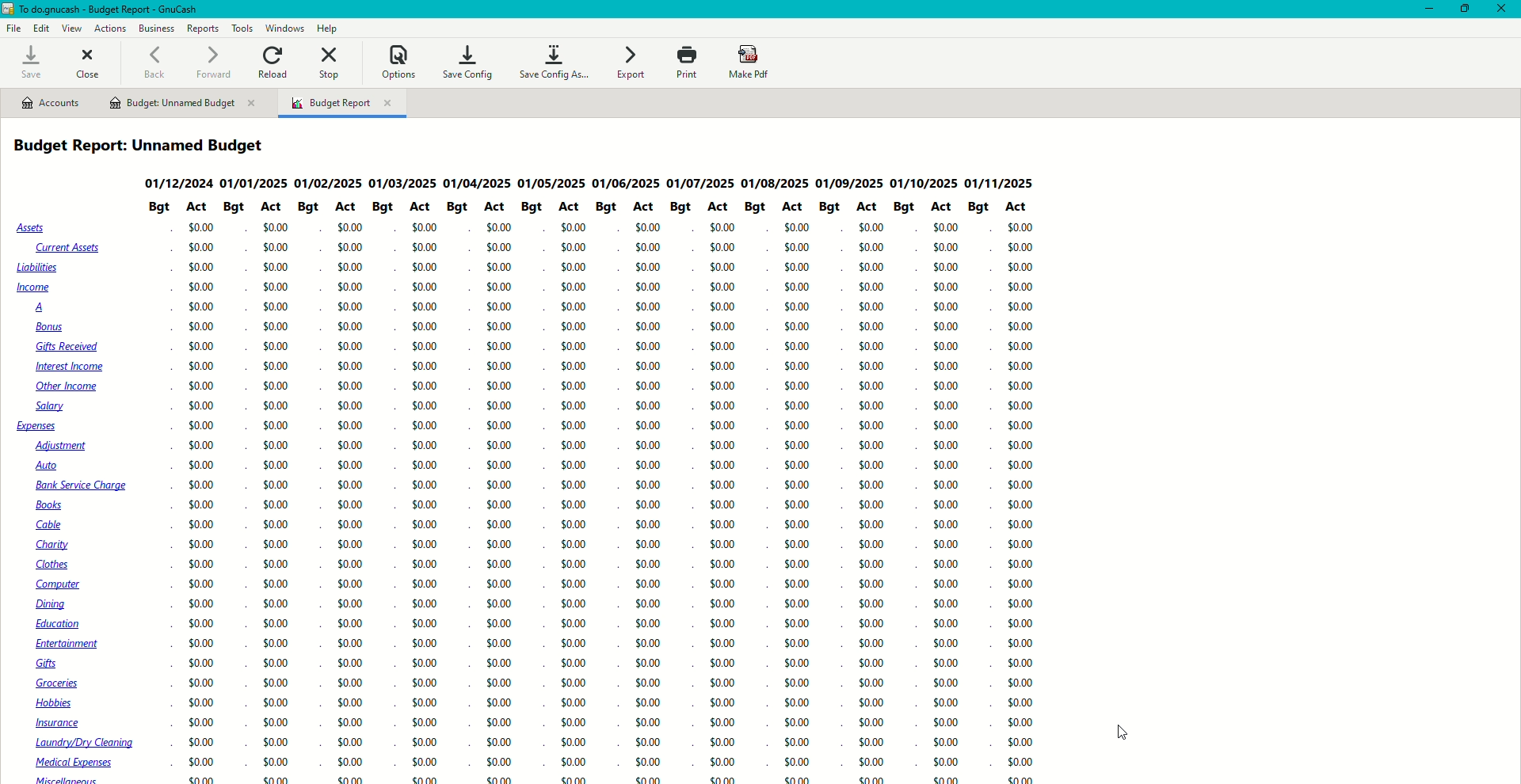  Describe the element at coordinates (593, 208) in the screenshot. I see `Parameters` at that location.